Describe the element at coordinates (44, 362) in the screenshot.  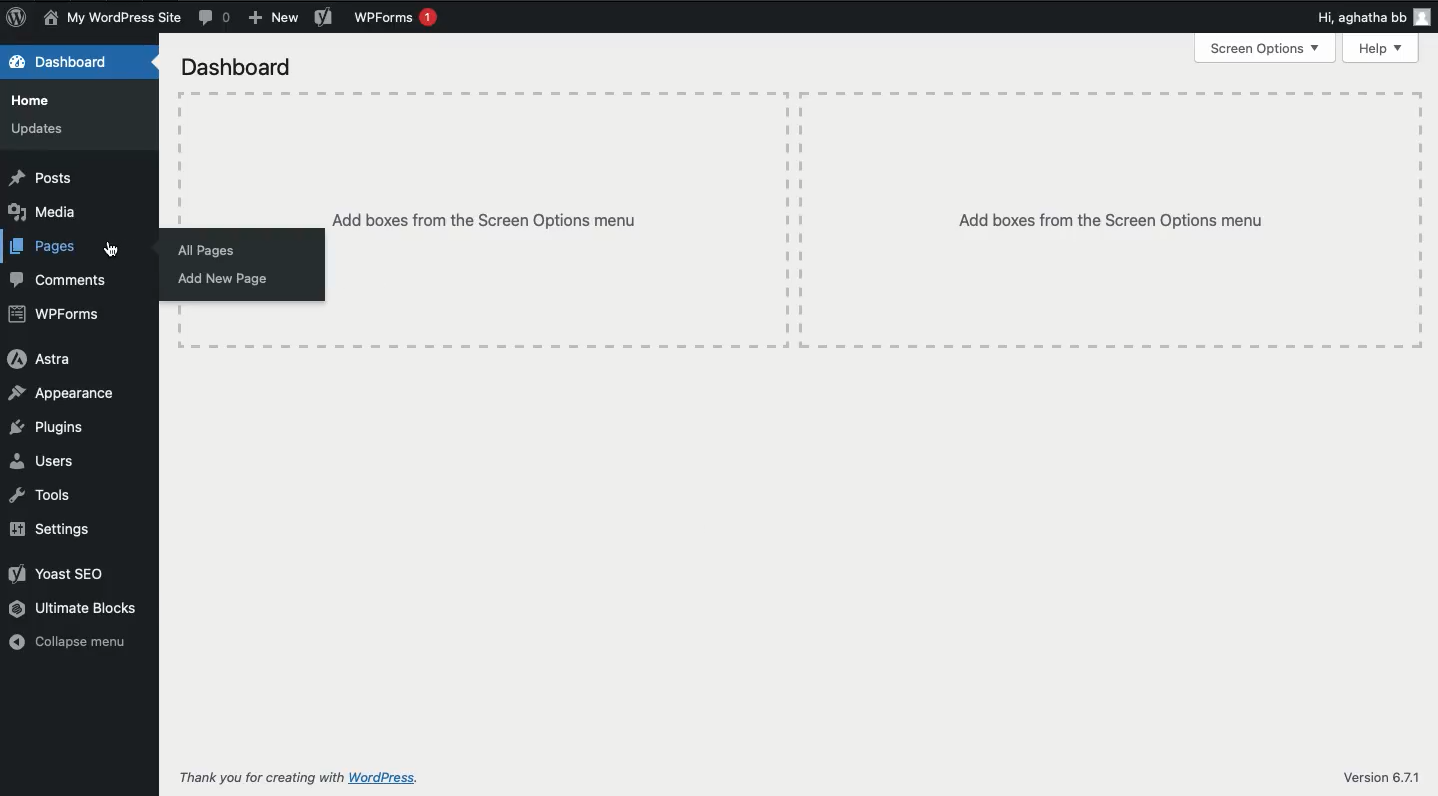
I see `Astra` at that location.